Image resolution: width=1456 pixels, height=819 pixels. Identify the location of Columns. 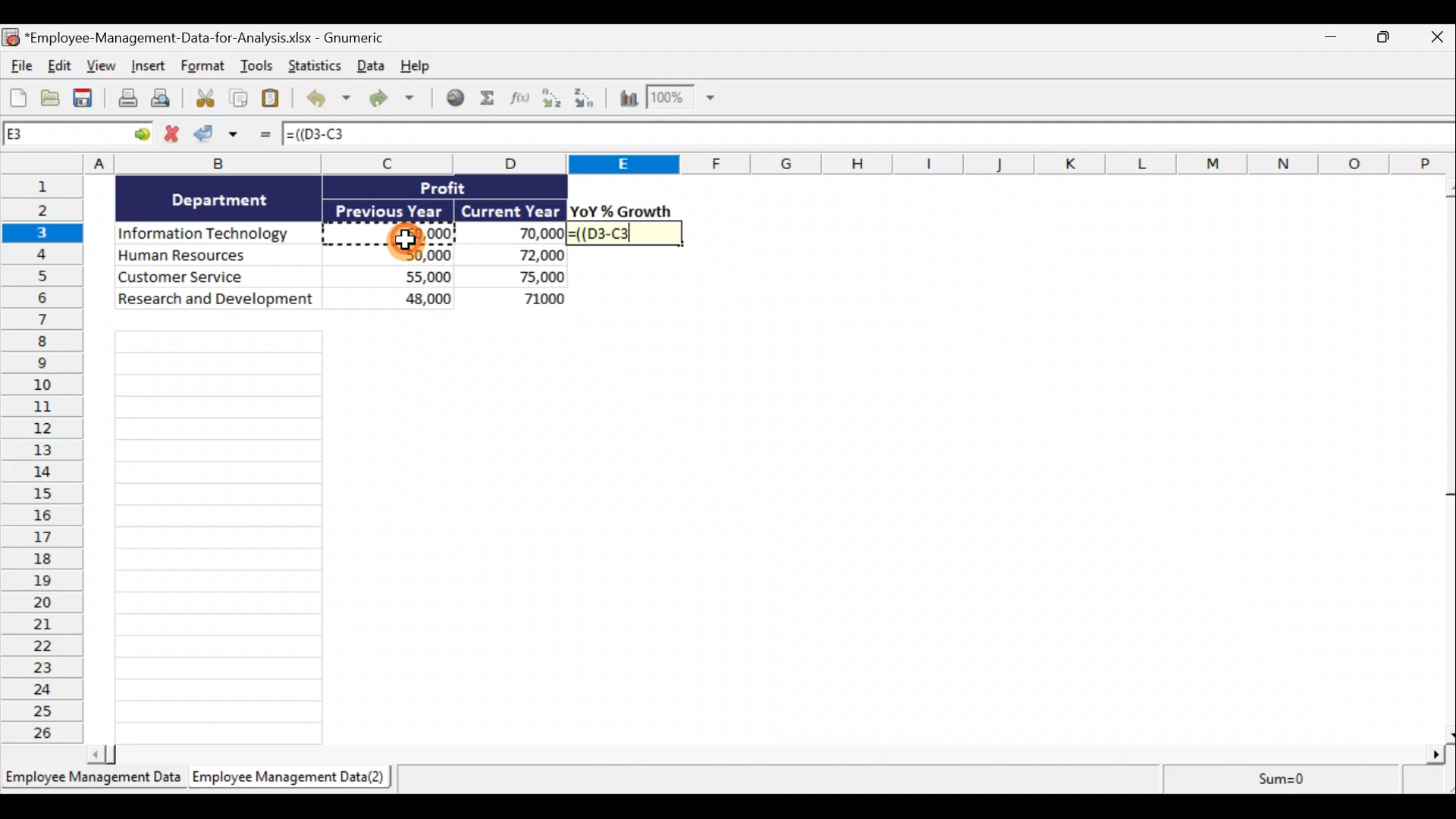
(728, 163).